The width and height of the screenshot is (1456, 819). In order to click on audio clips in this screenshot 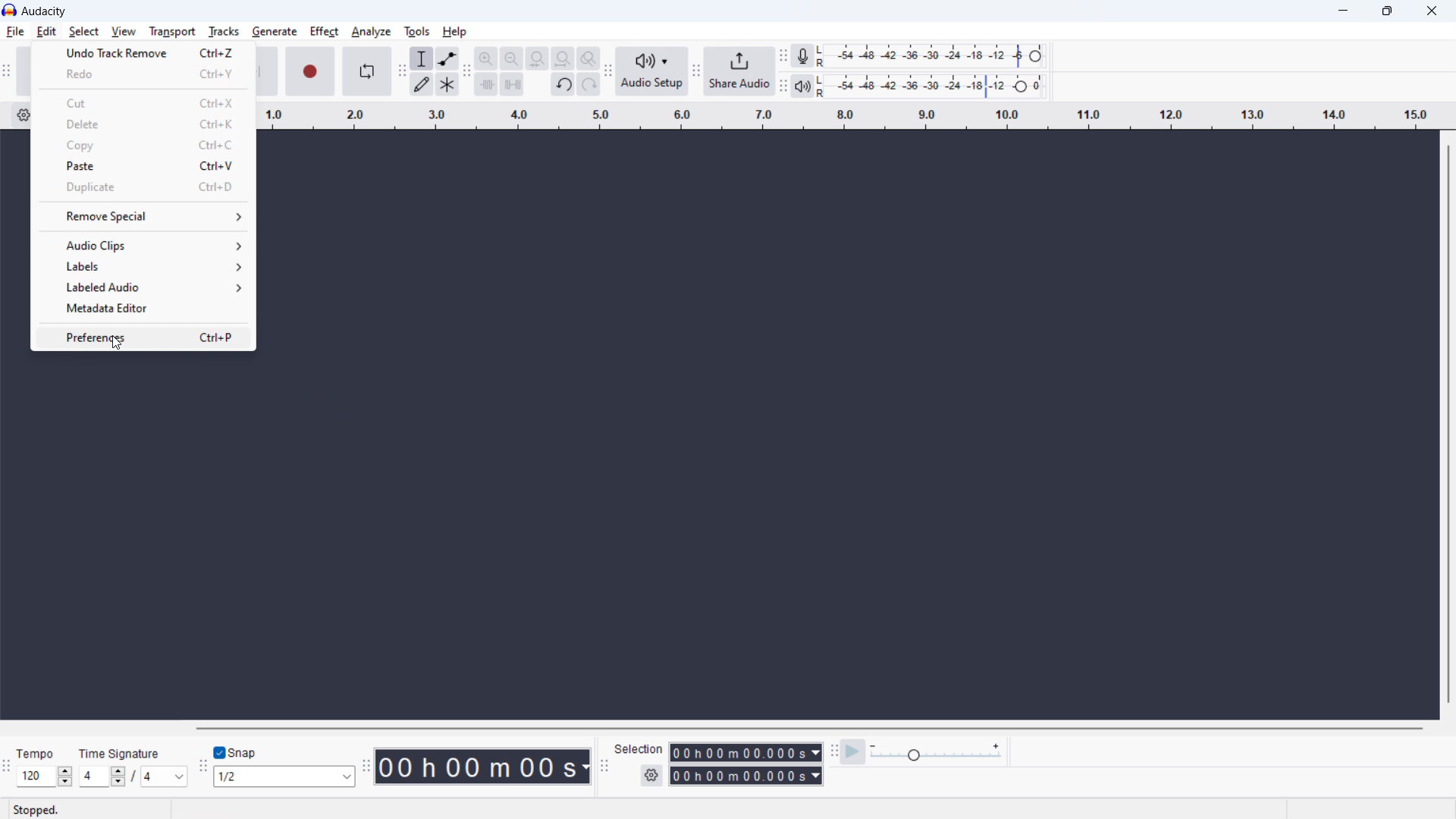, I will do `click(144, 246)`.